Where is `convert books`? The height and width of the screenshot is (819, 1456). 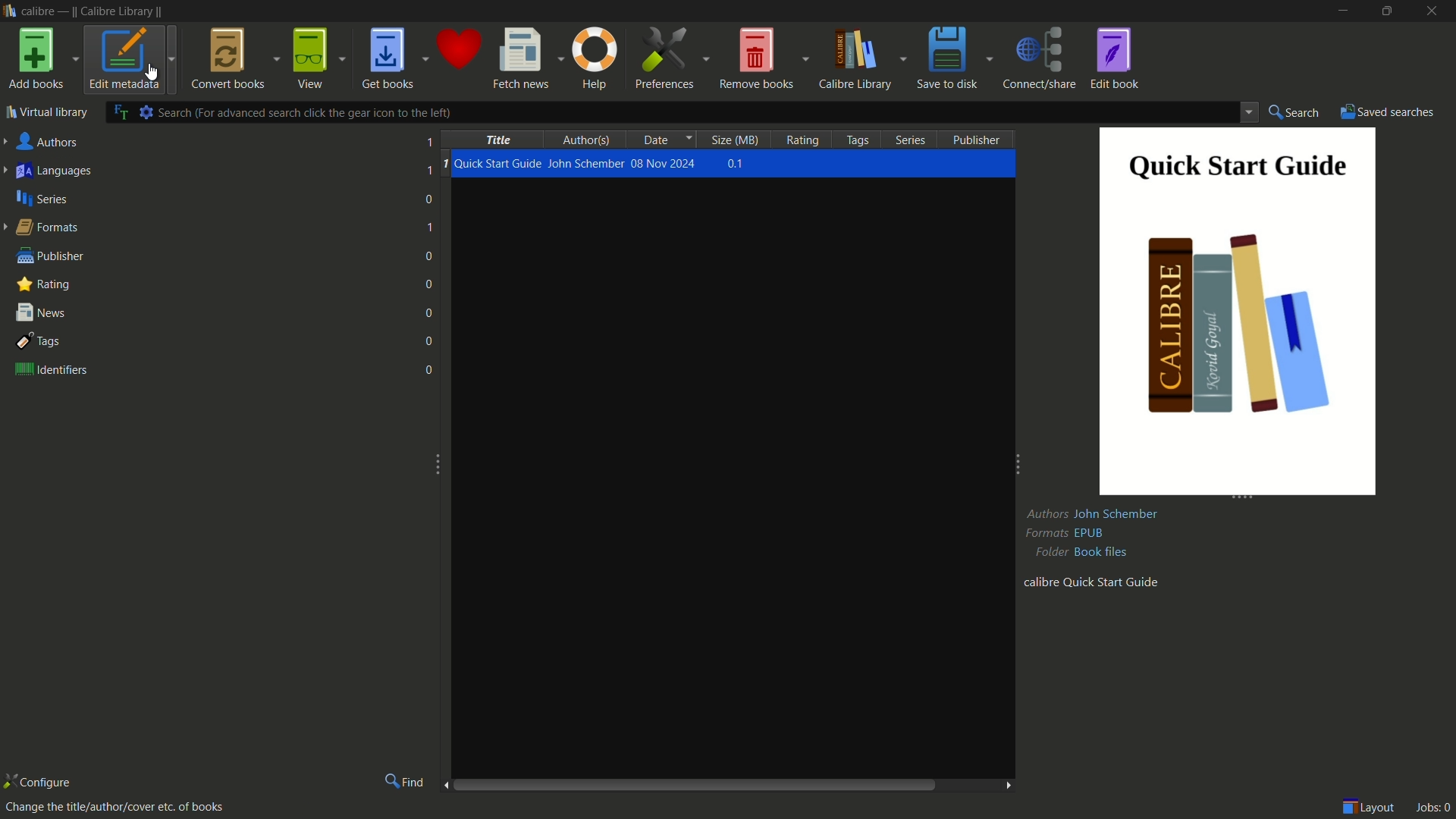 convert books is located at coordinates (237, 59).